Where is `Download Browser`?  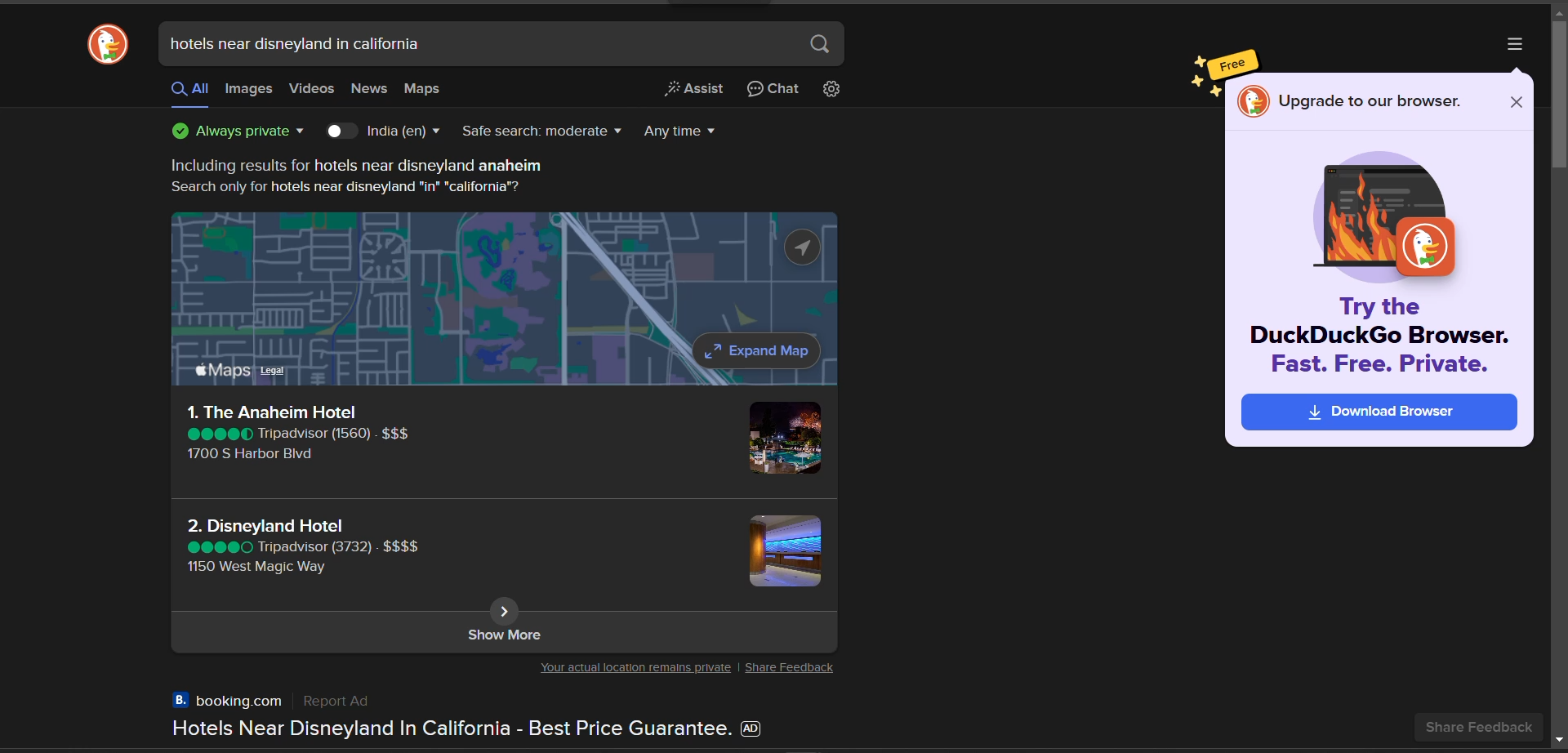
Download Browser is located at coordinates (1380, 412).